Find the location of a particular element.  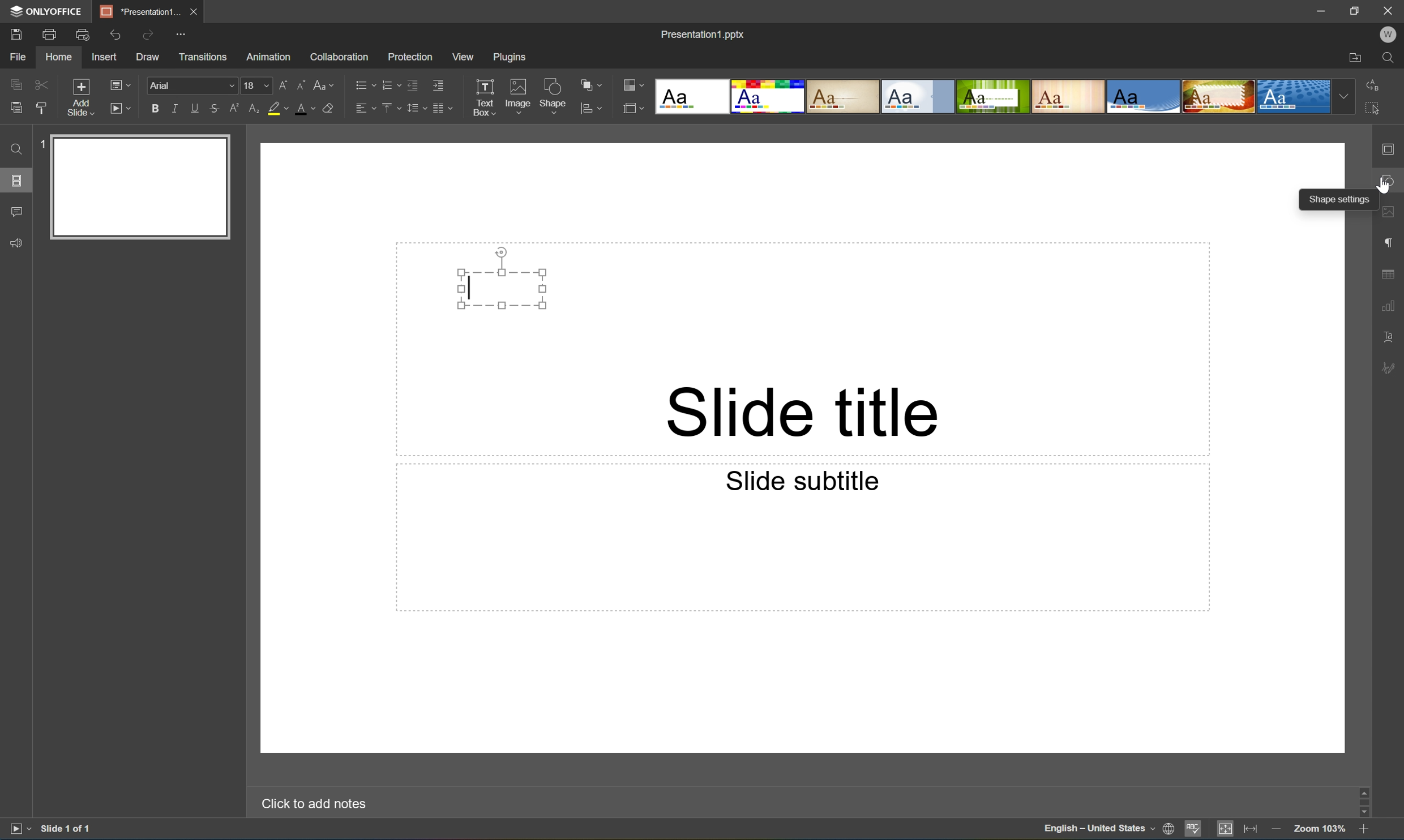

Minimize is located at coordinates (1325, 11).